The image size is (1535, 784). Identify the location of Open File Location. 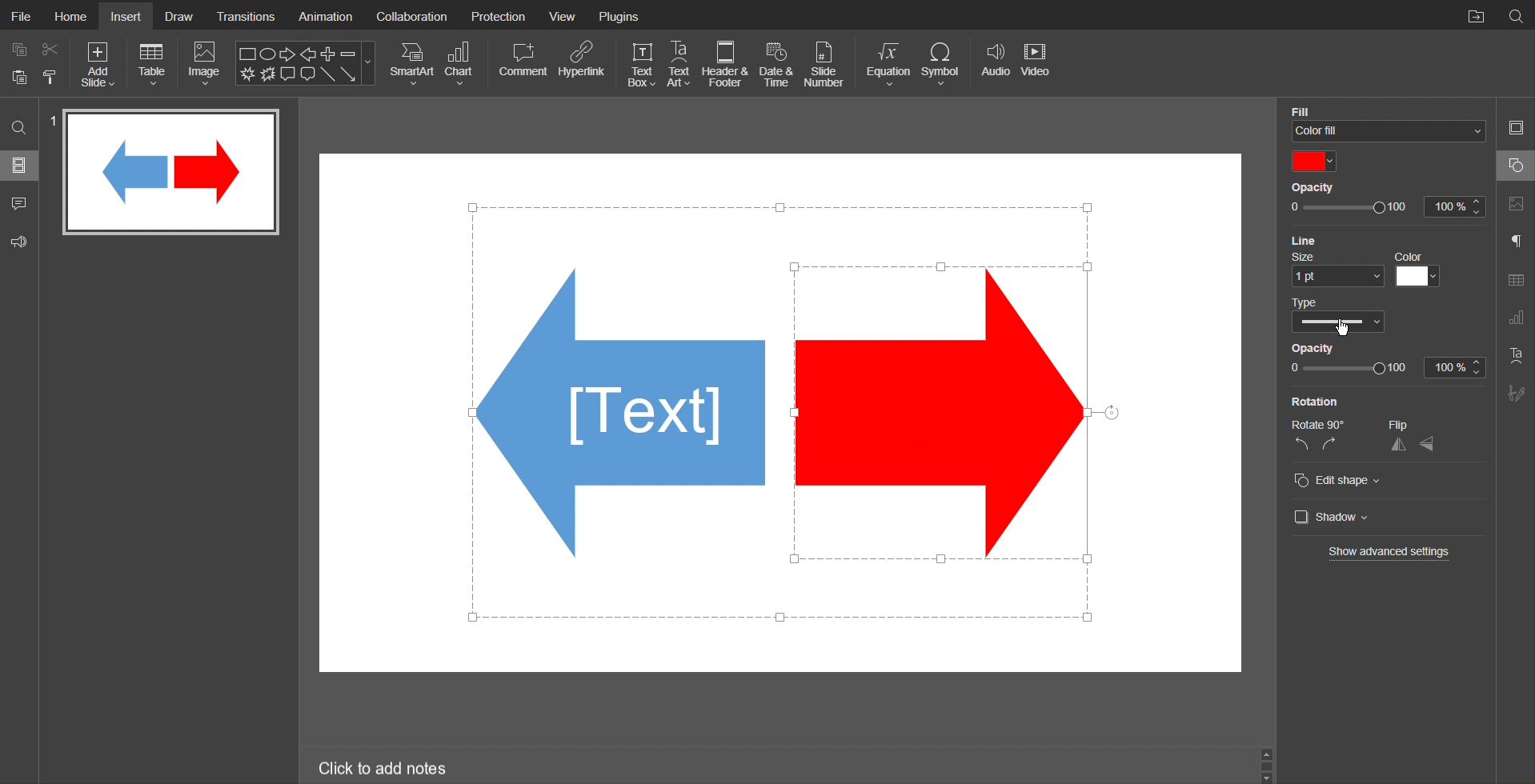
(1472, 14).